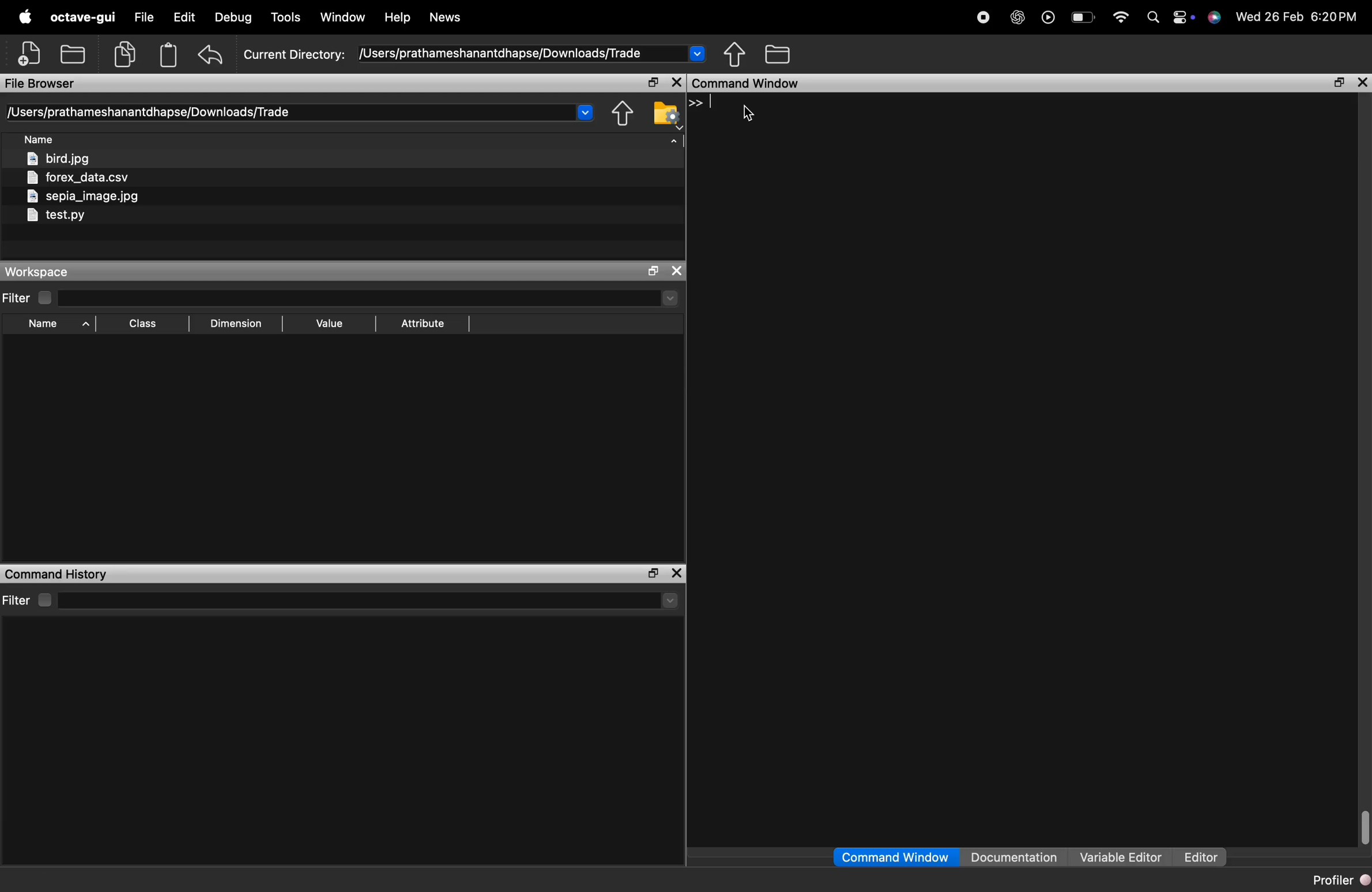  Describe the element at coordinates (1363, 84) in the screenshot. I see `close` at that location.